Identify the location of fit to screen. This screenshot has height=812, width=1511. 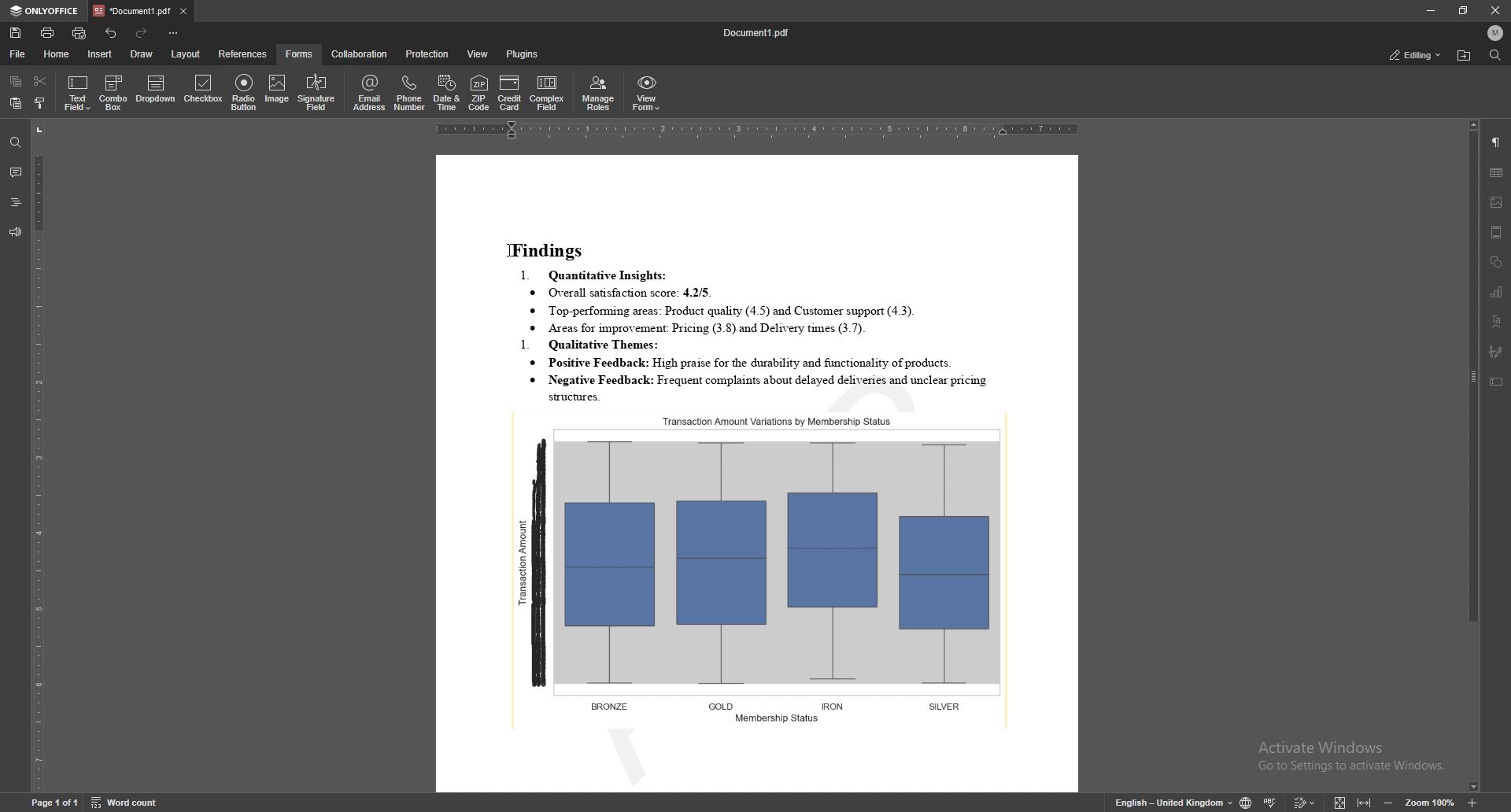
(1339, 801).